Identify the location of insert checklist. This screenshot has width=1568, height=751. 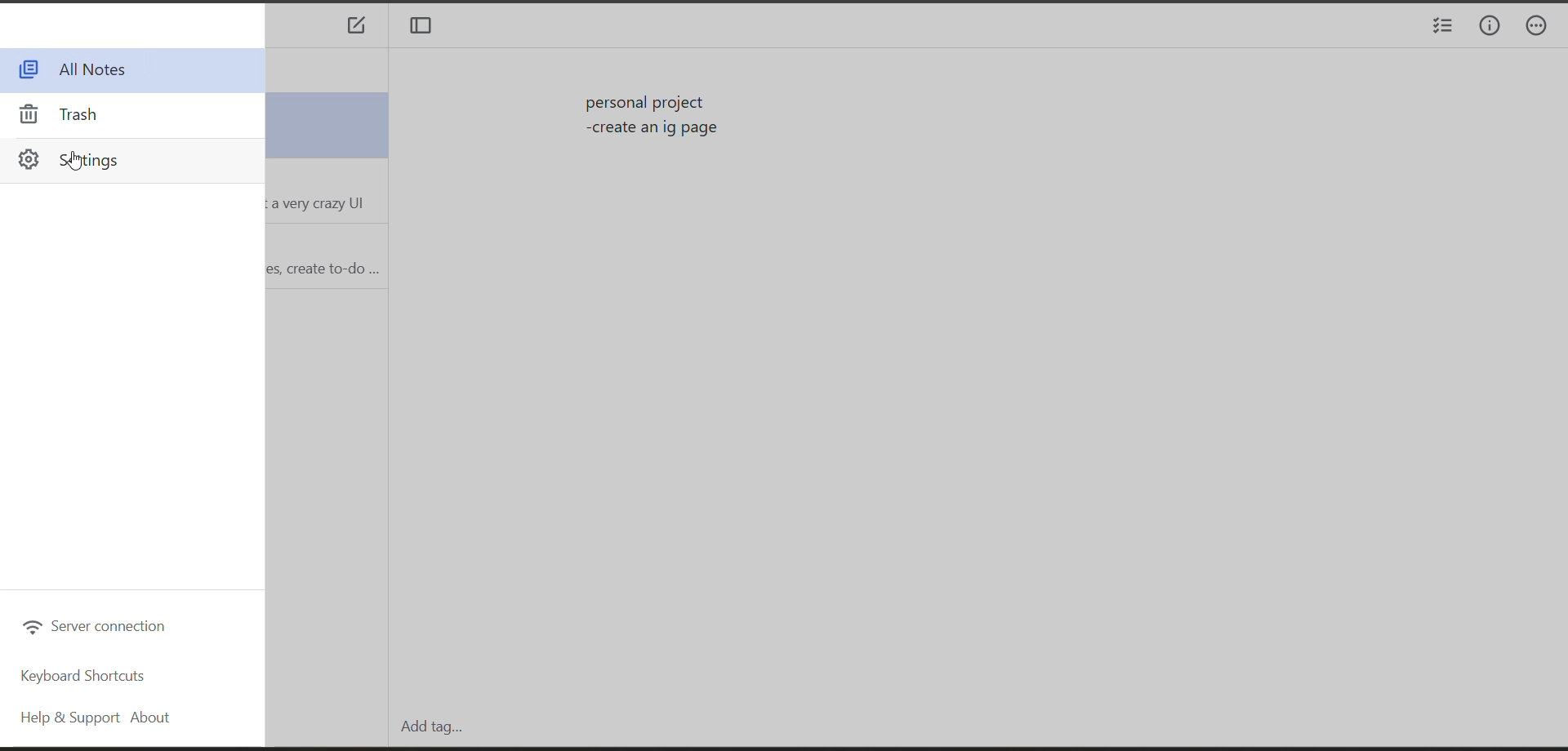
(1440, 28).